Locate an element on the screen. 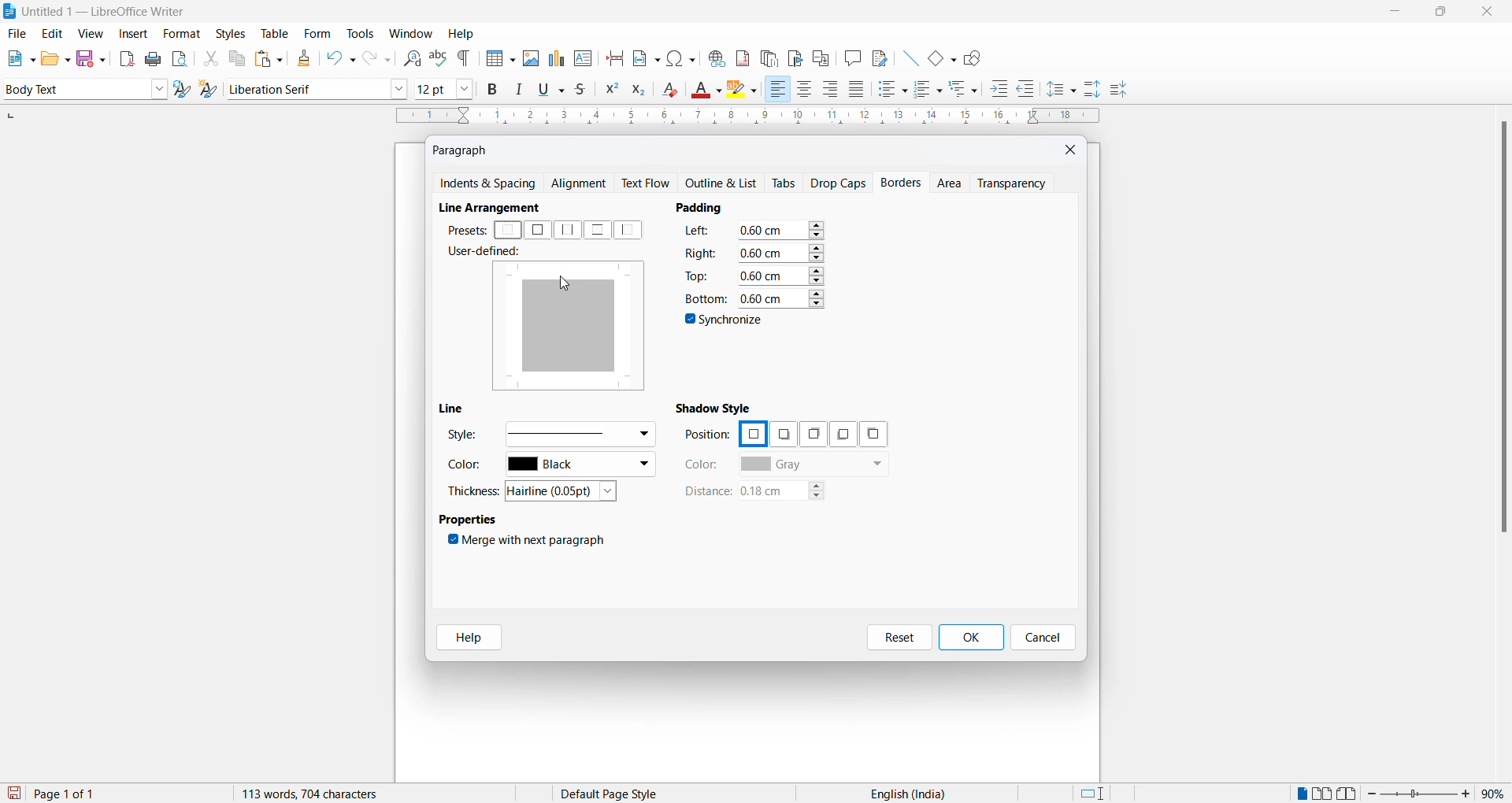  show draw functions is located at coordinates (976, 57).